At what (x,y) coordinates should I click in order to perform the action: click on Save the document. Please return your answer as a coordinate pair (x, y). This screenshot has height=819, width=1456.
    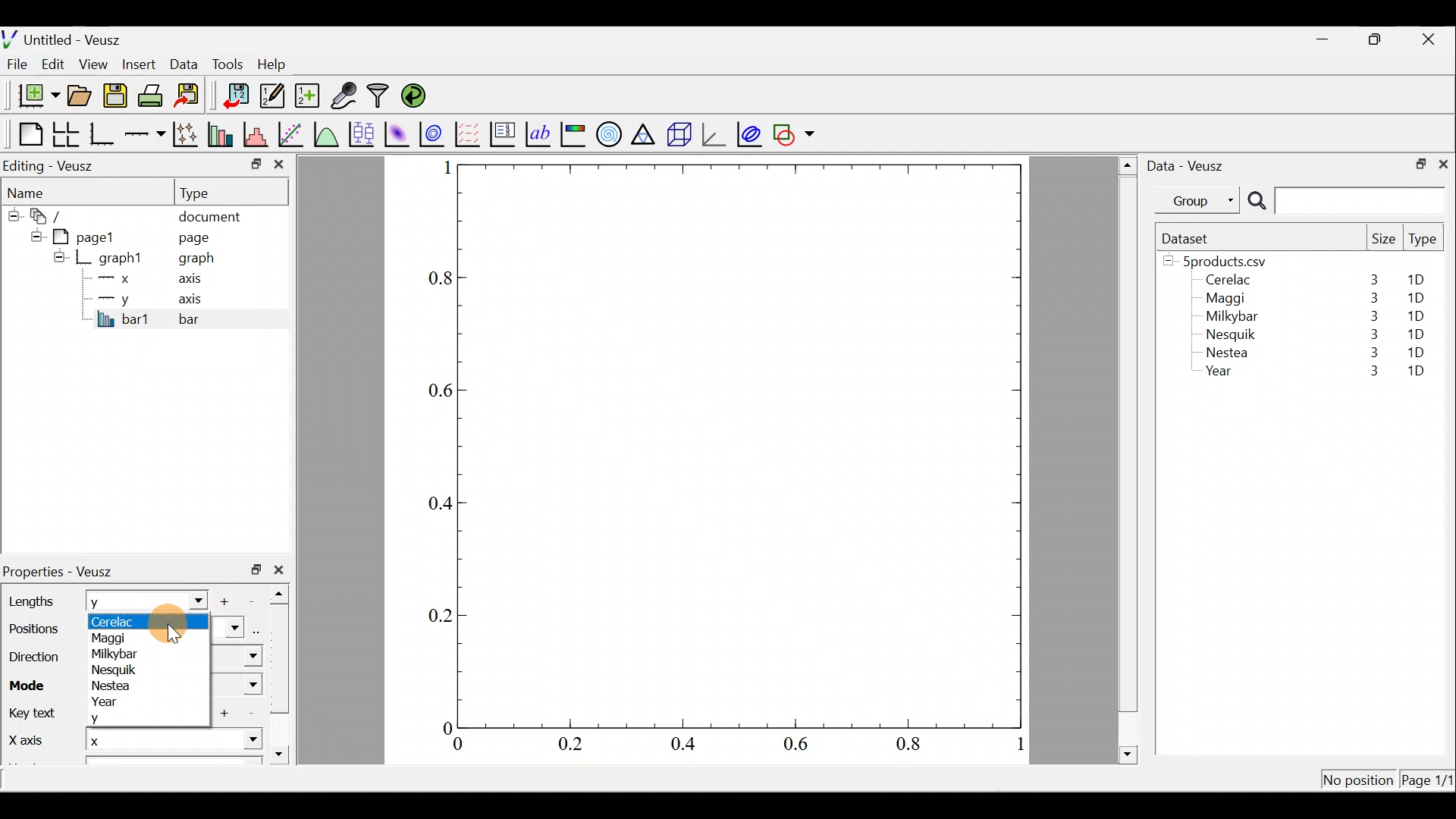
    Looking at the image, I should click on (117, 99).